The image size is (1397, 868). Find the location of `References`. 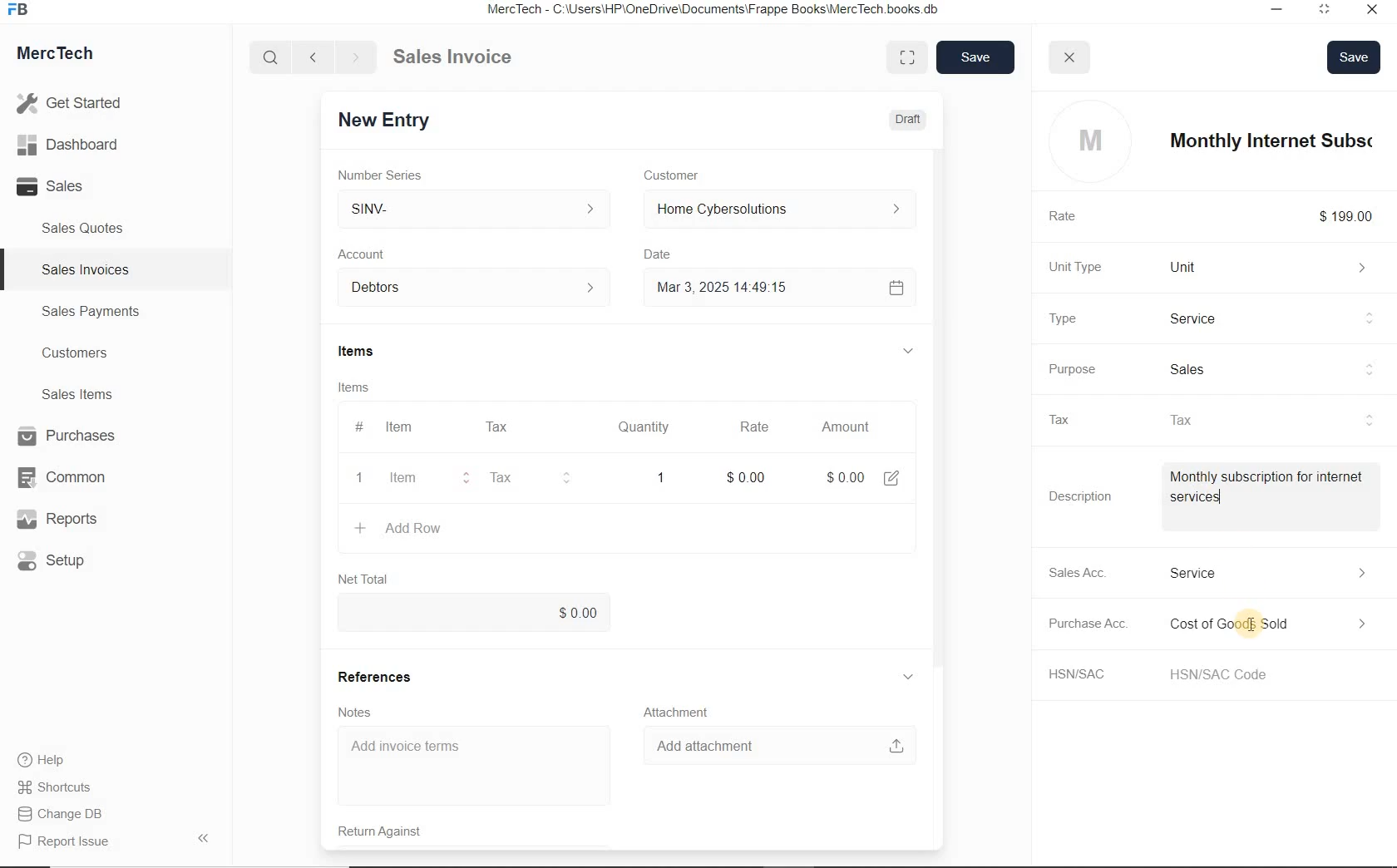

References is located at coordinates (378, 675).